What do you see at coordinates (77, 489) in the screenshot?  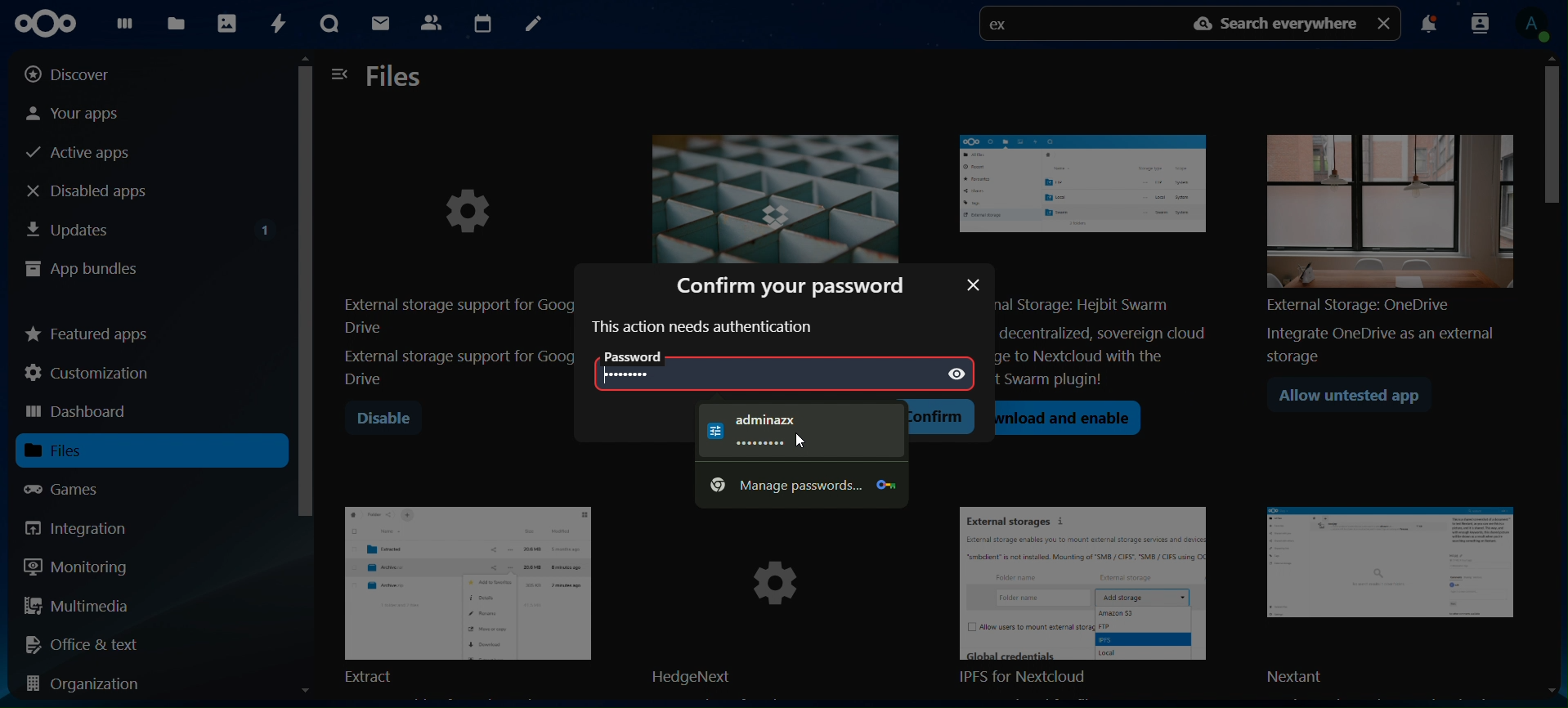 I see `games` at bounding box center [77, 489].